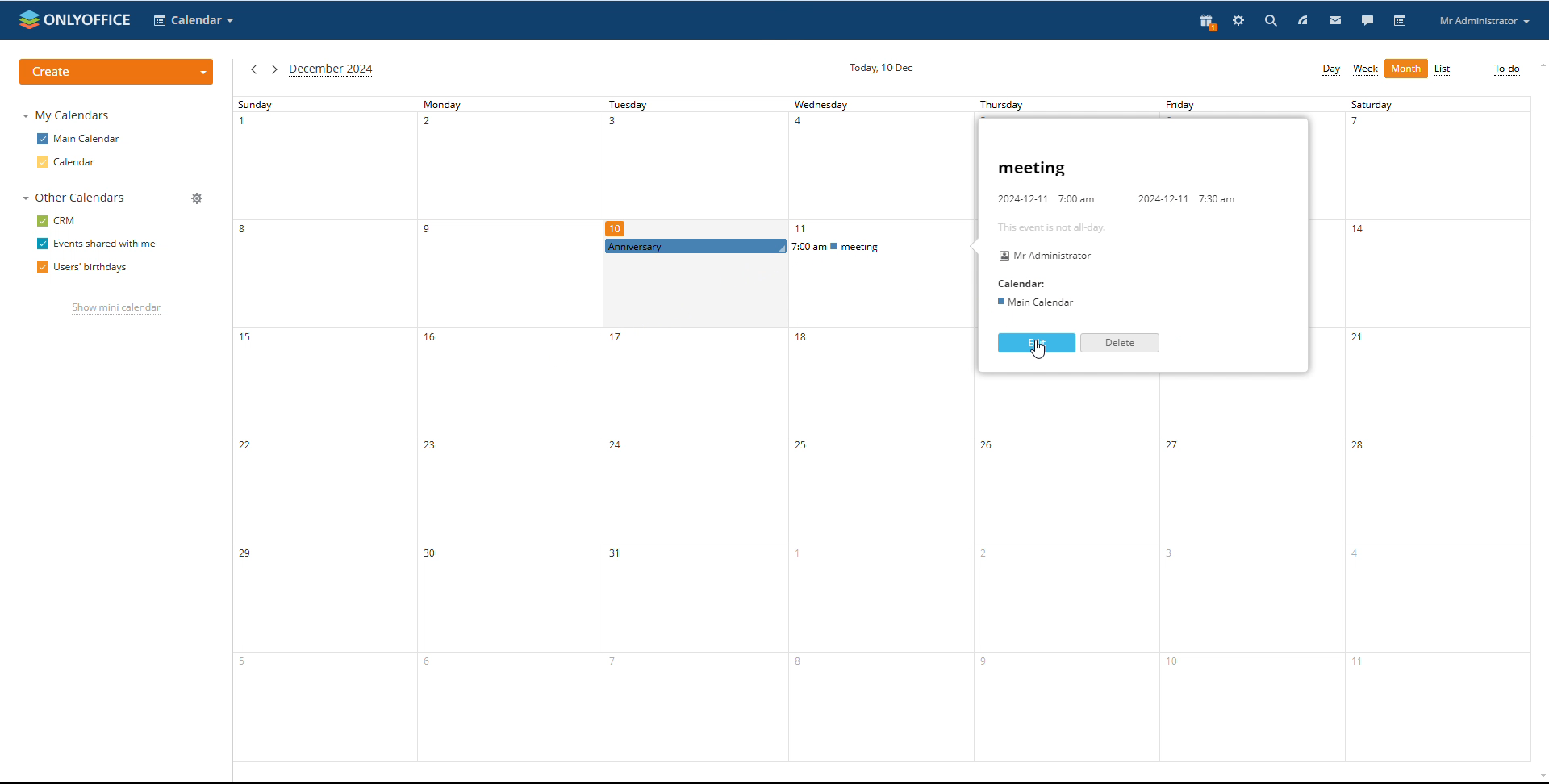 The height and width of the screenshot is (784, 1549). I want to click on 7:30 am, so click(1220, 198).